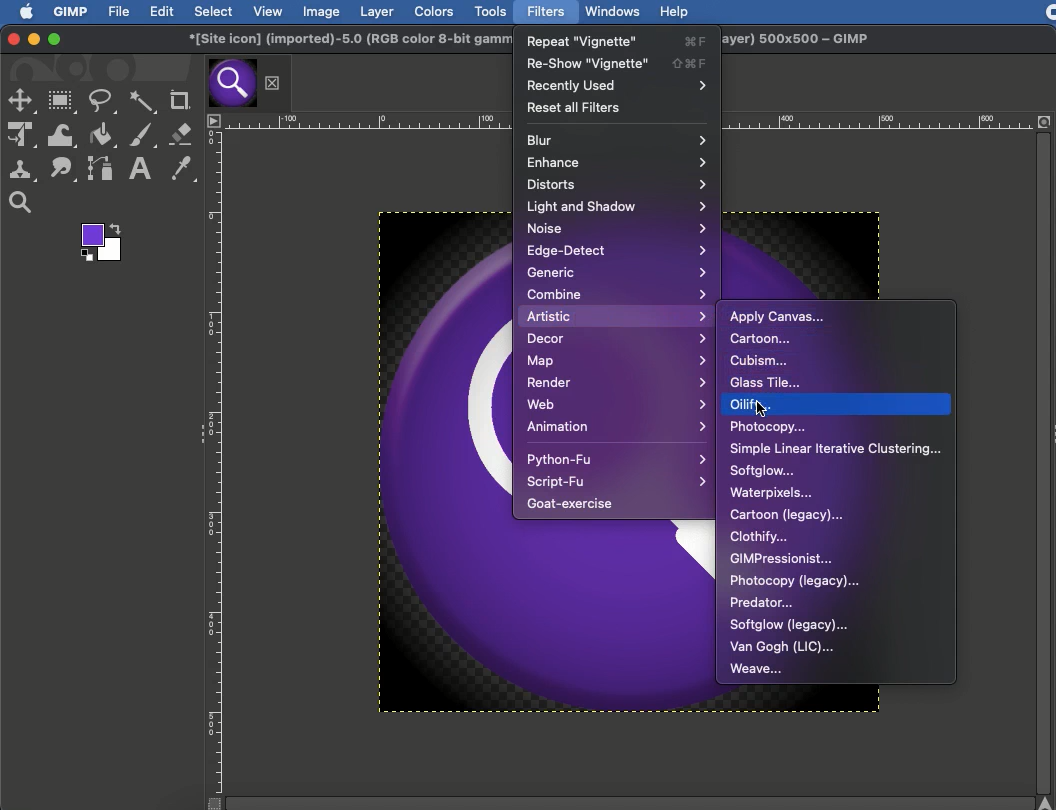  What do you see at coordinates (617, 207) in the screenshot?
I see `Light and shadow` at bounding box center [617, 207].